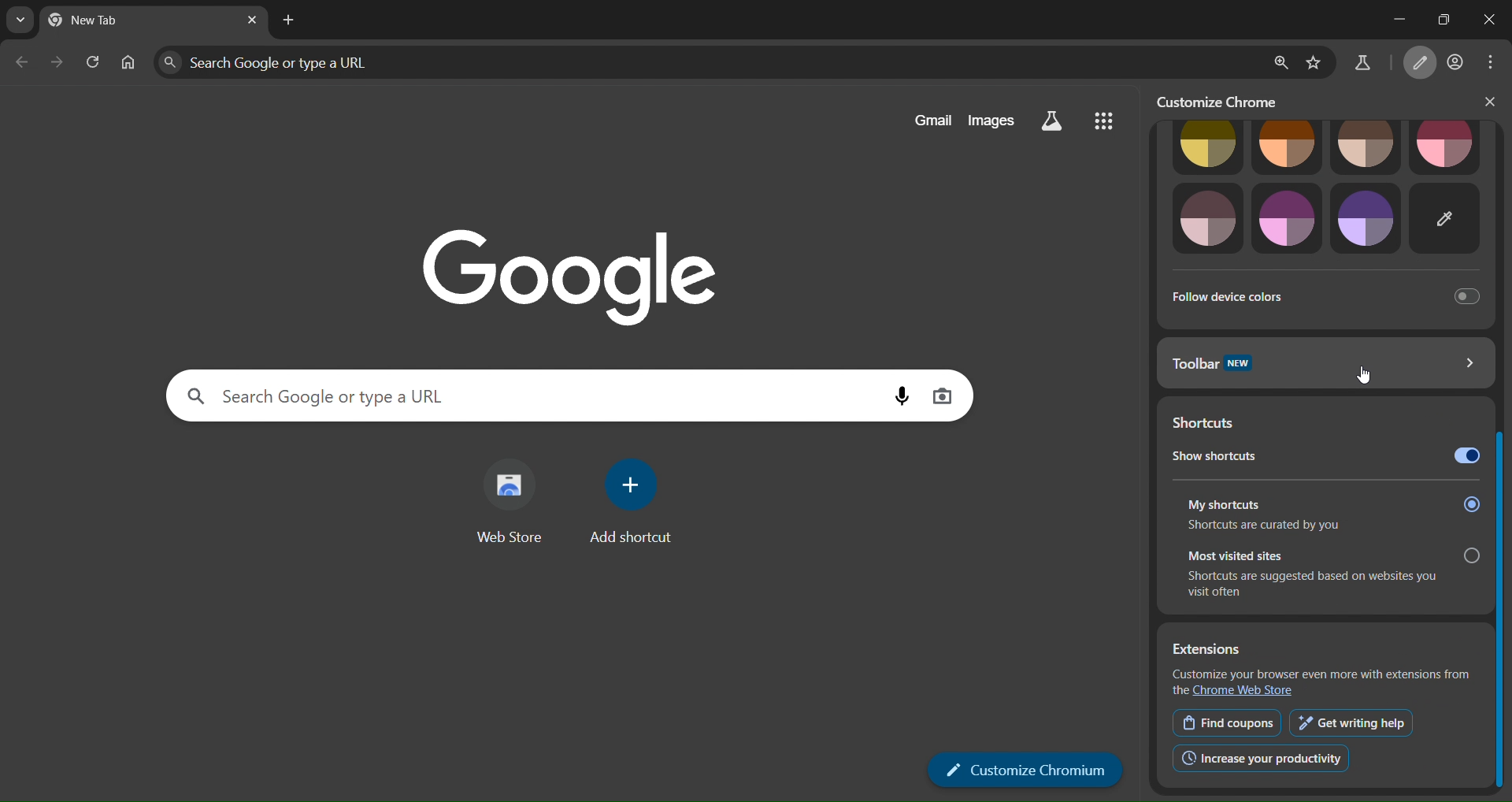 This screenshot has height=802, width=1512. Describe the element at coordinates (1321, 361) in the screenshot. I see `toolbar` at that location.